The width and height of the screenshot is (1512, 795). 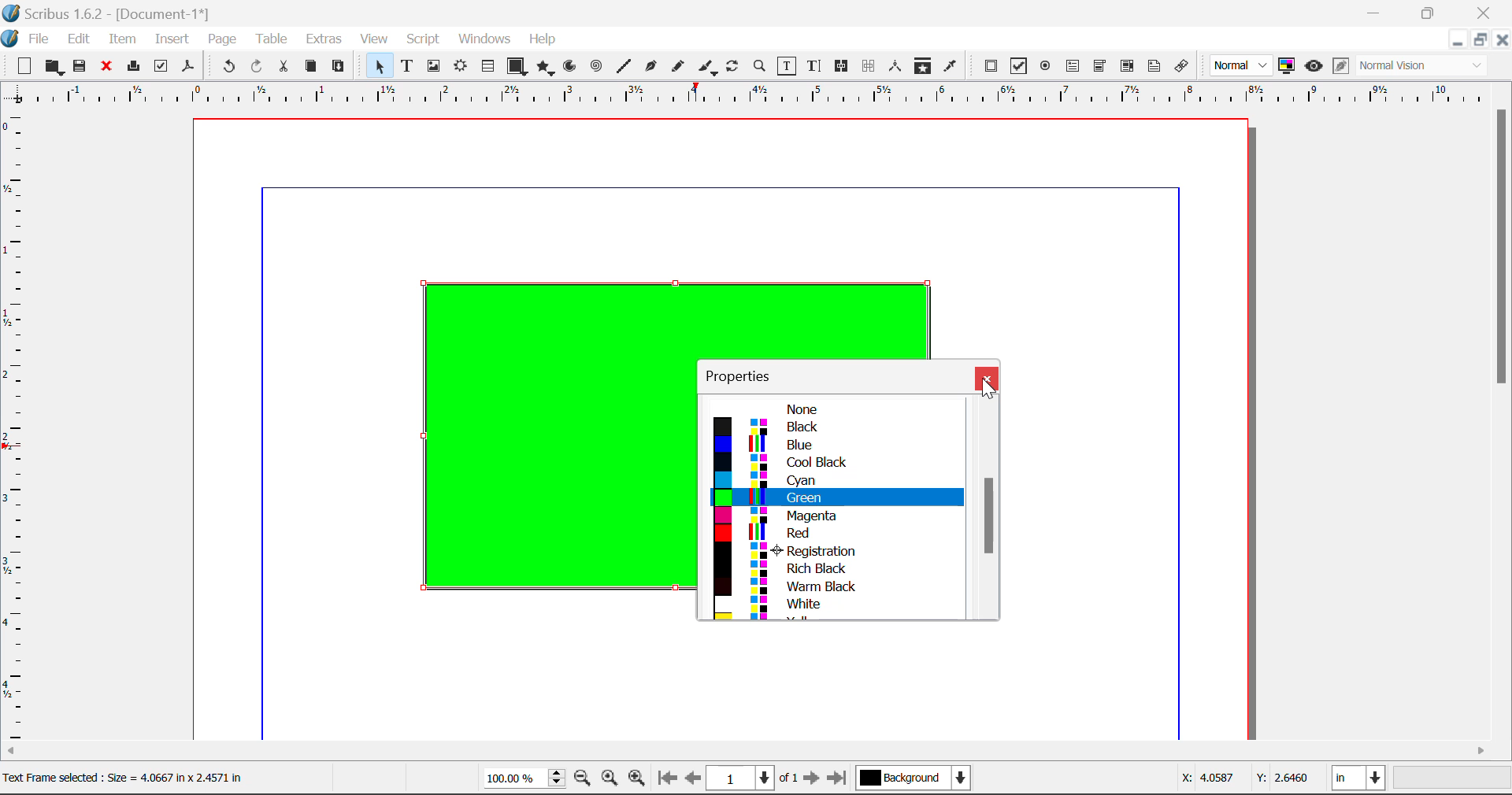 I want to click on Black, so click(x=835, y=427).